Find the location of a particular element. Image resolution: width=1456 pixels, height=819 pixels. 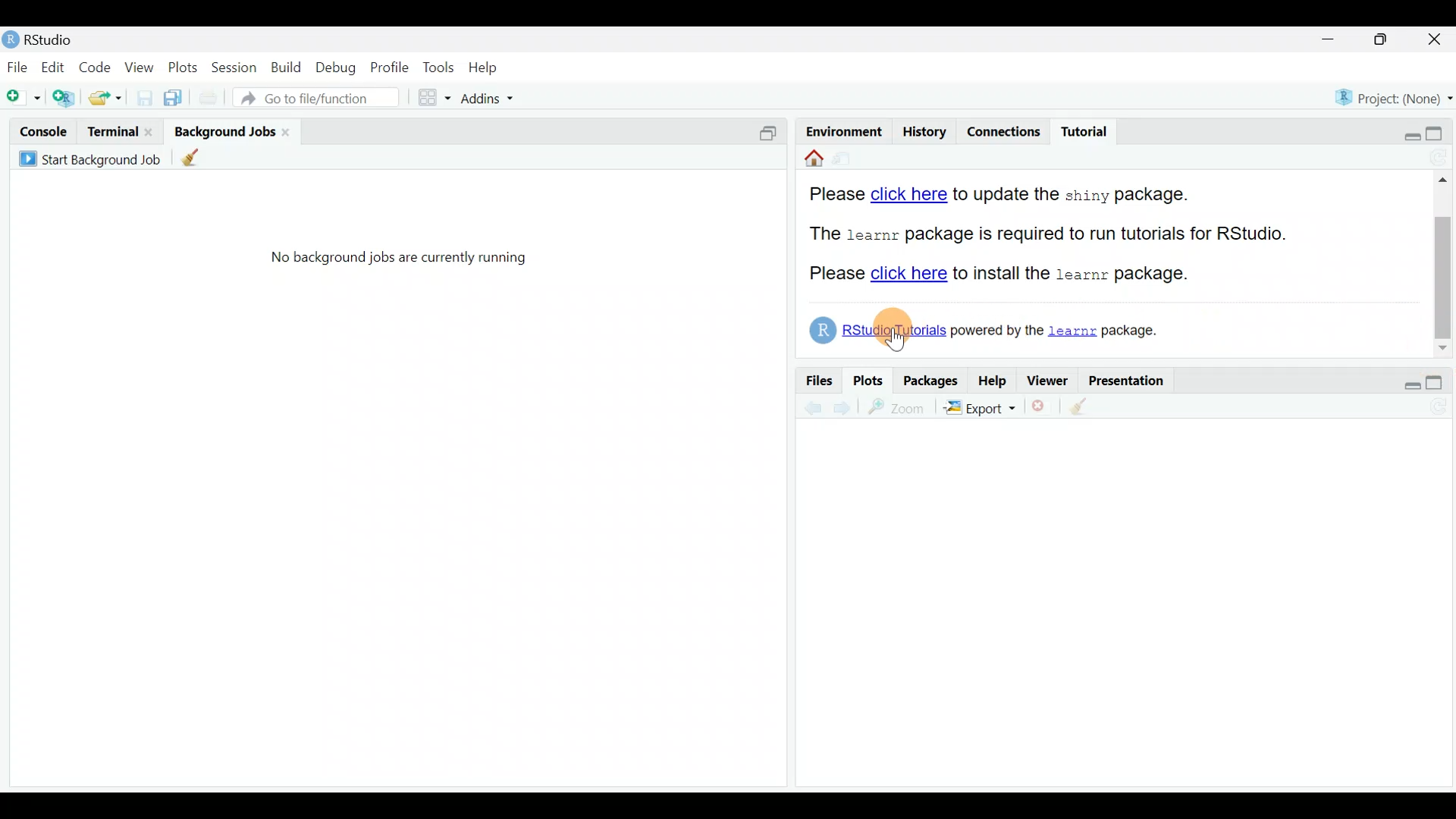

Save current document is located at coordinates (141, 98).